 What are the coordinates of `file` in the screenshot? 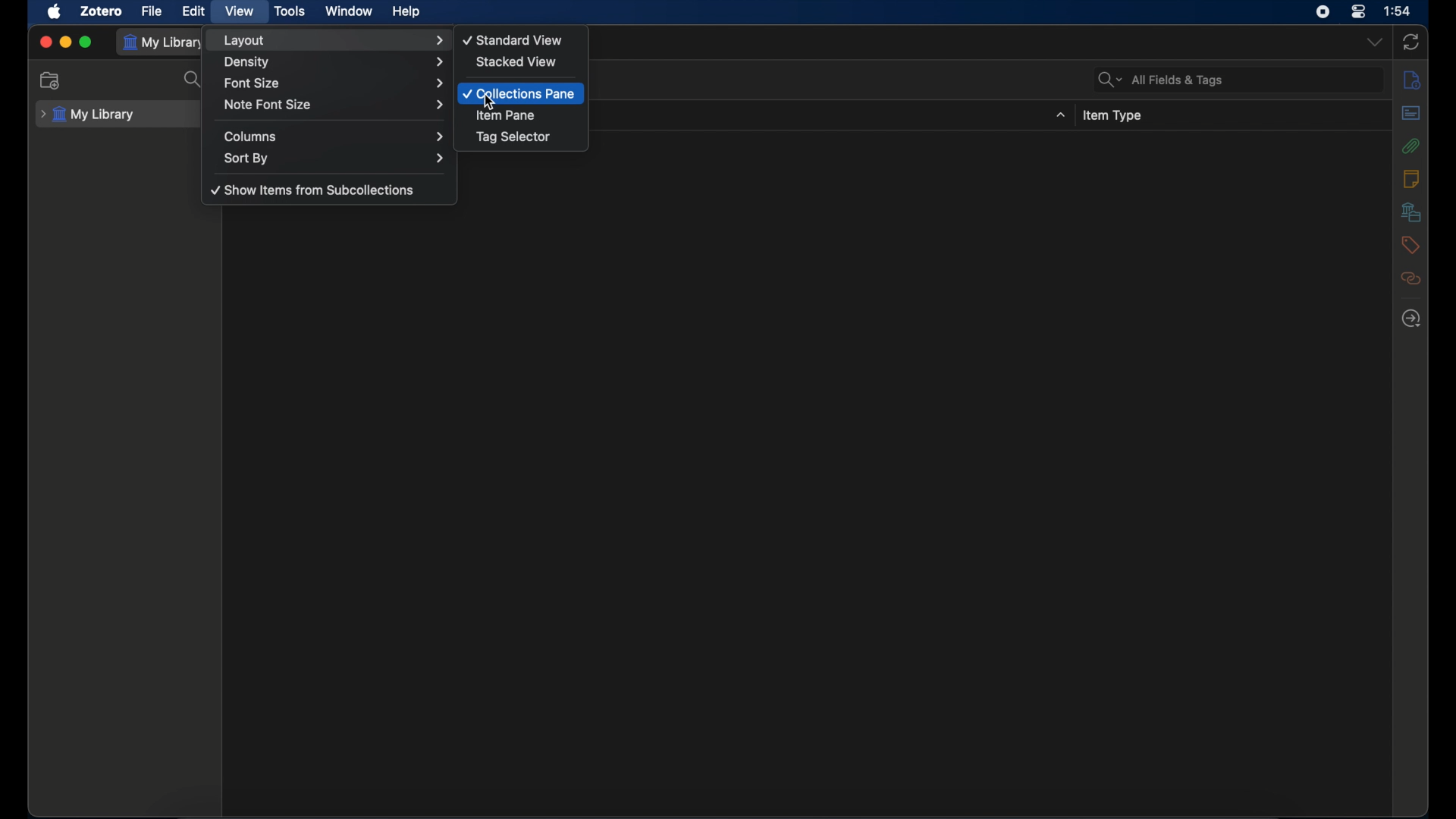 It's located at (152, 11).